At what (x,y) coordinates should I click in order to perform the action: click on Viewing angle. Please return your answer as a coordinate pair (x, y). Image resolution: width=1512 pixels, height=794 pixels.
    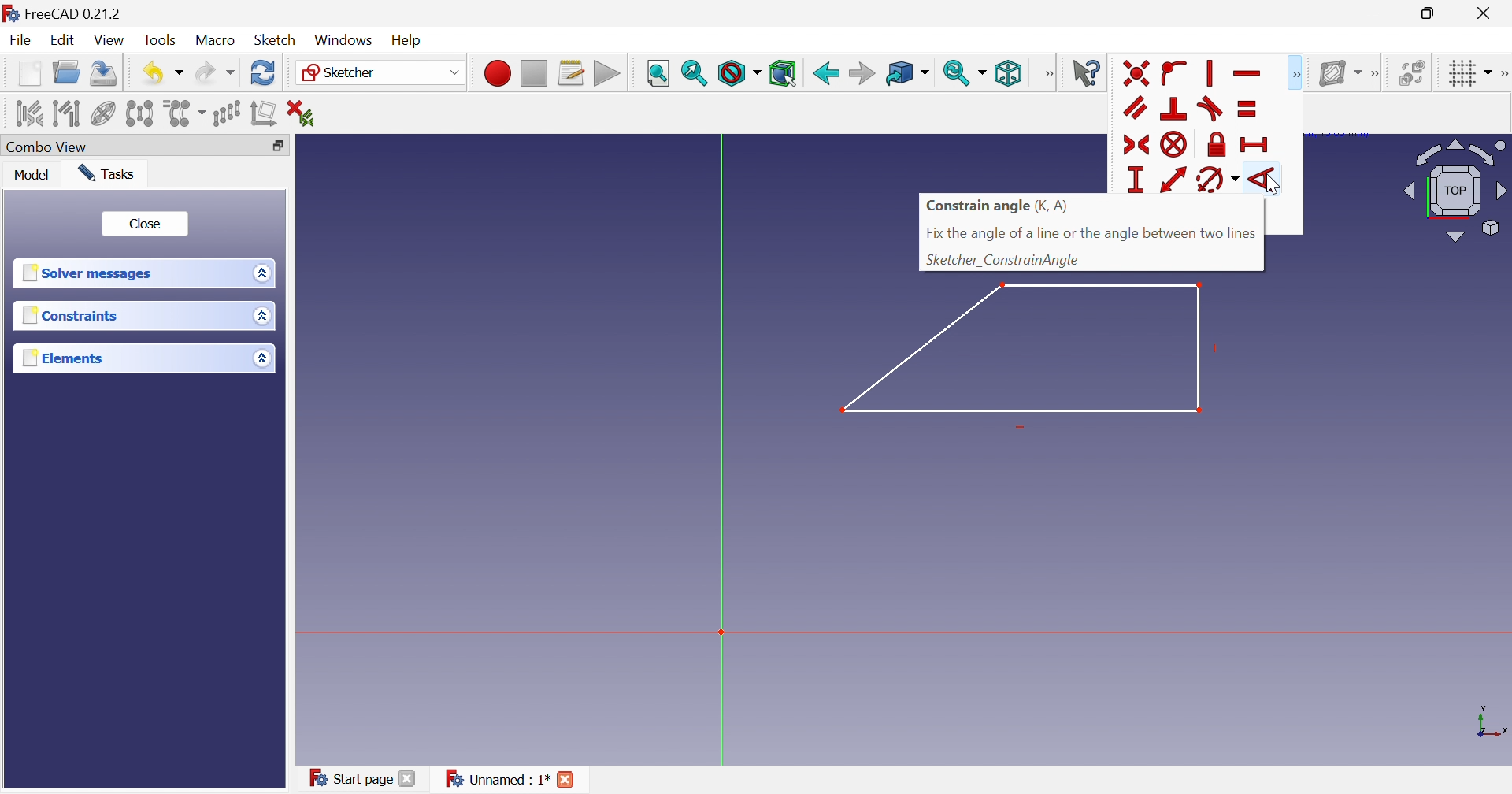
    Looking at the image, I should click on (1455, 189).